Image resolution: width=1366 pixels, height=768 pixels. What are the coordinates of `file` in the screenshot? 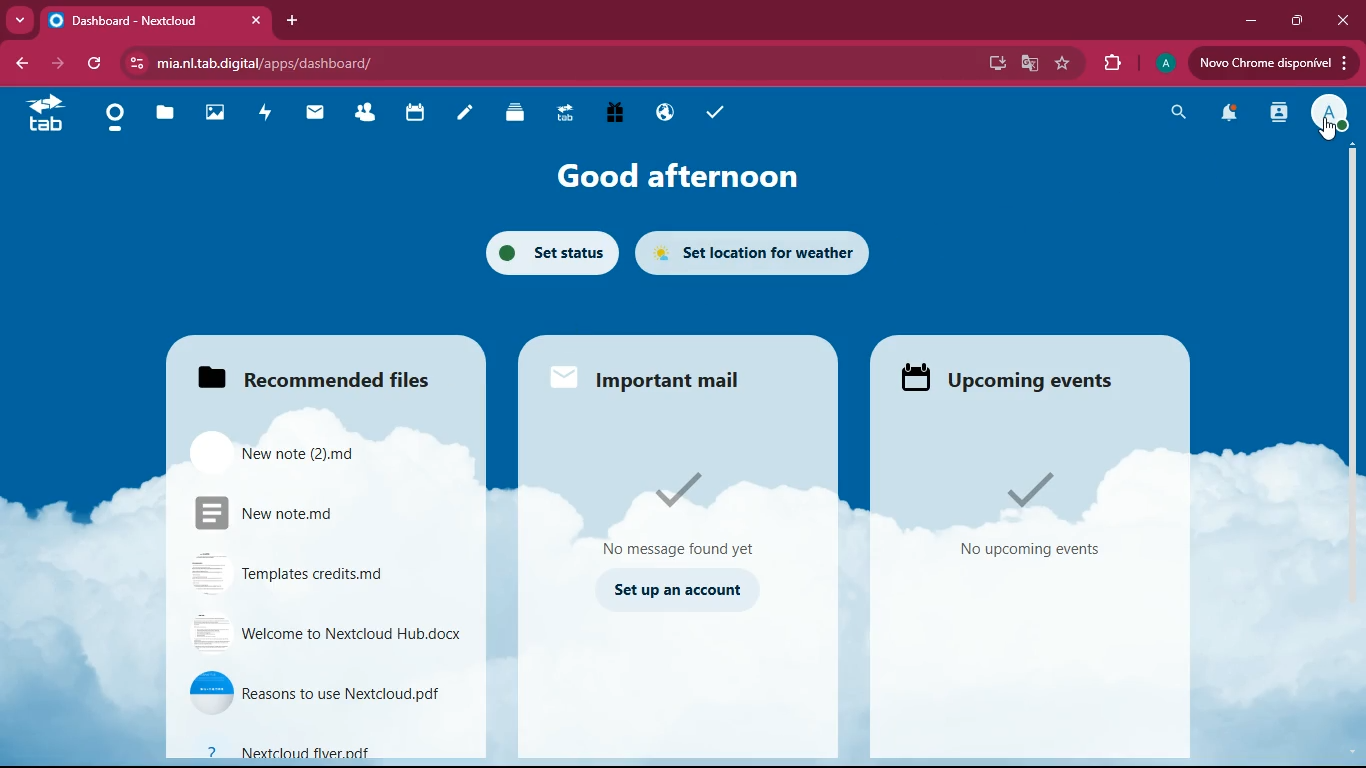 It's located at (329, 694).